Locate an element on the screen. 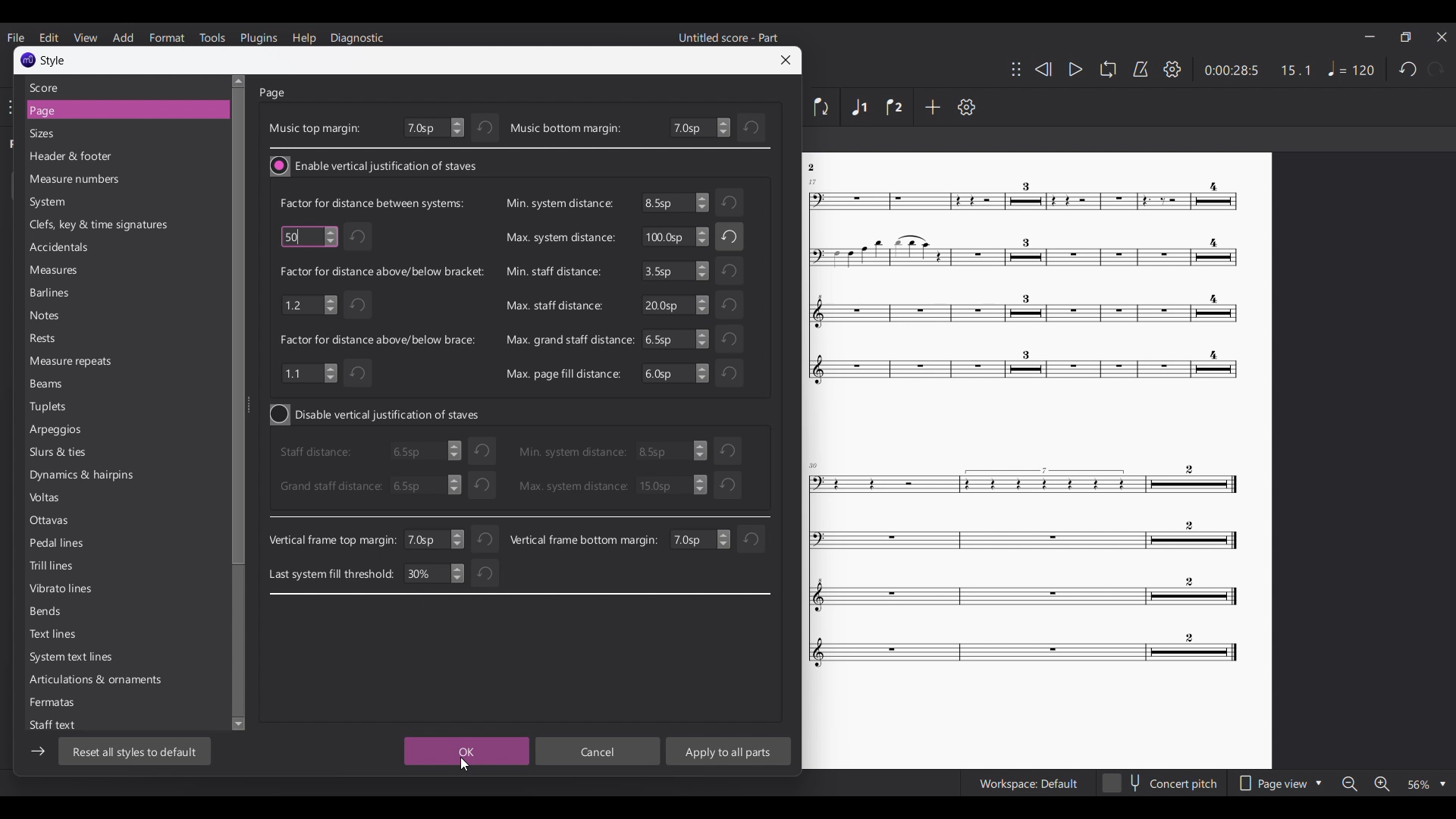  Music top margin is located at coordinates (314, 128).